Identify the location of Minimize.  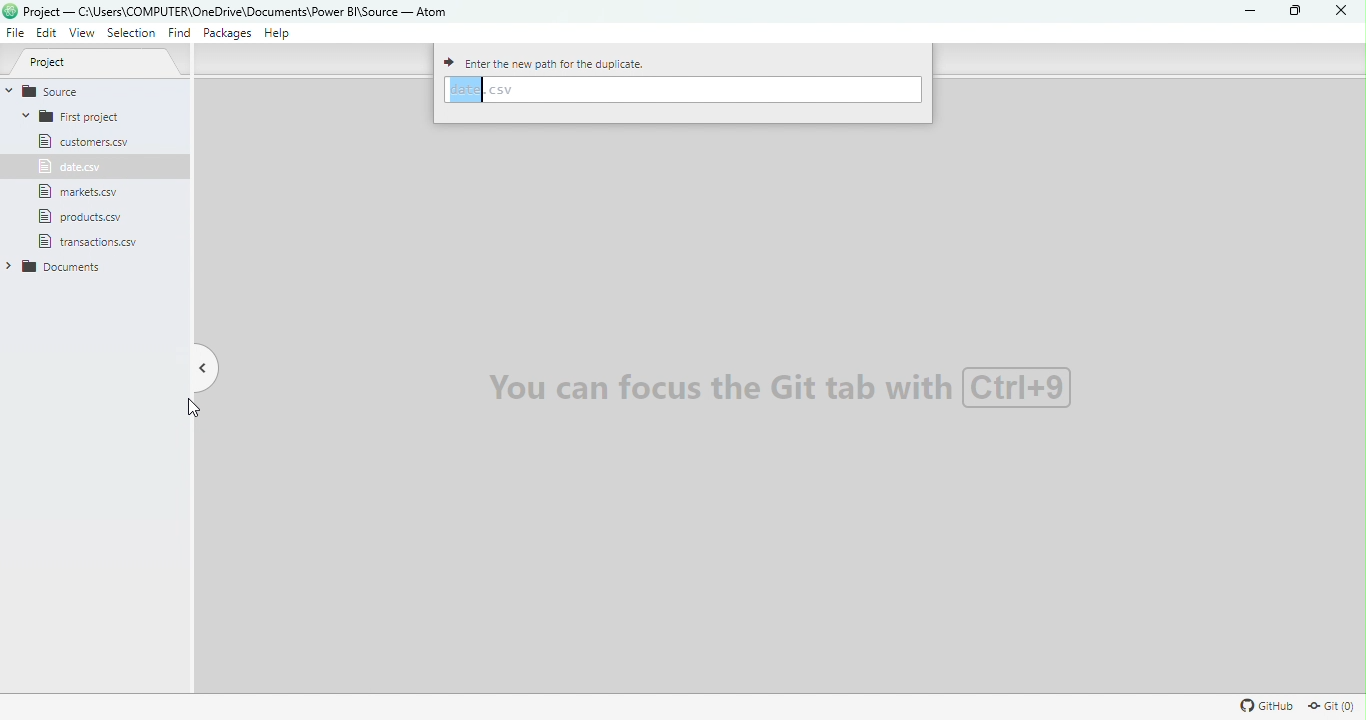
(1247, 12).